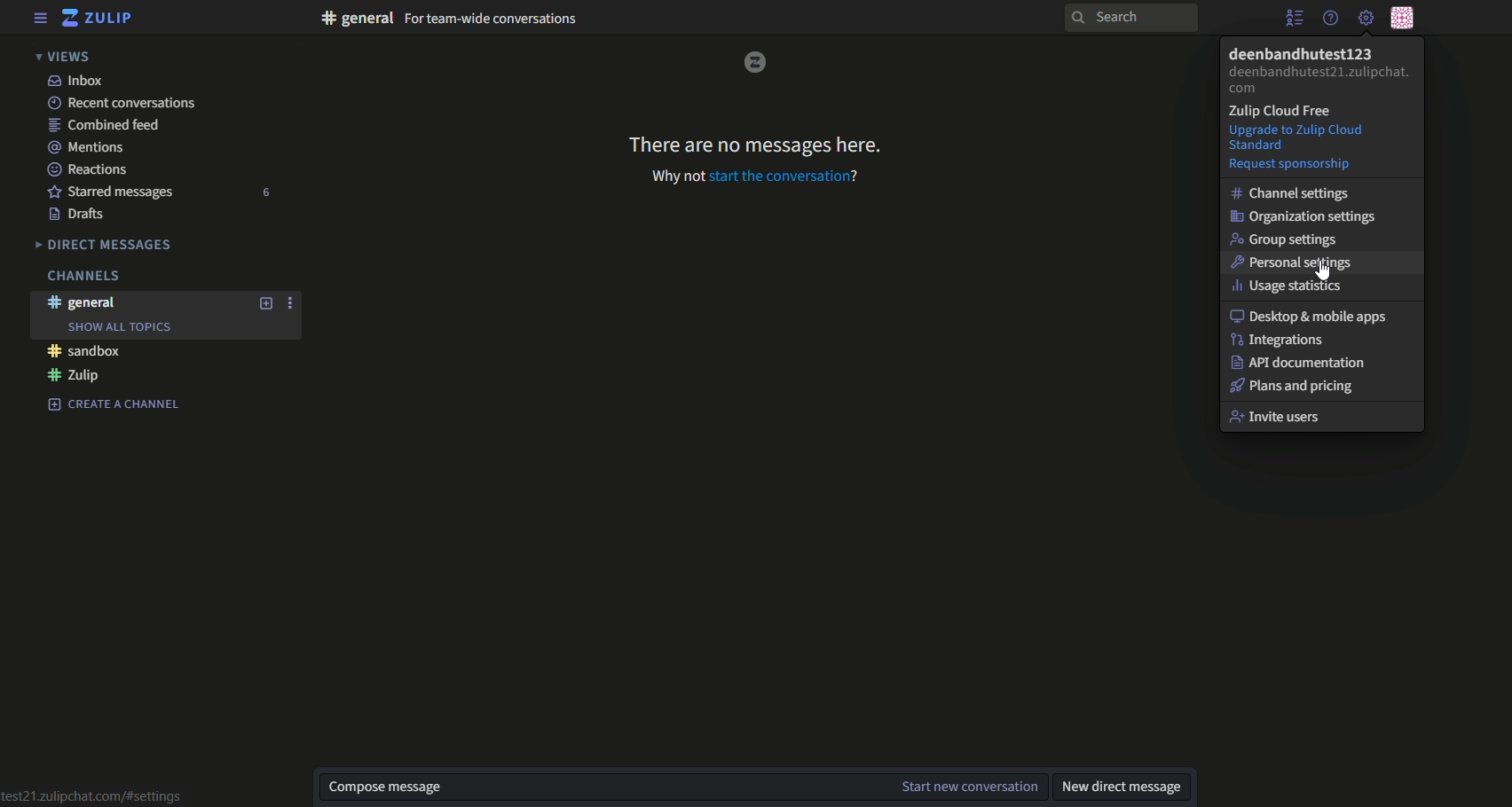  Describe the element at coordinates (1121, 788) in the screenshot. I see `new direct message` at that location.